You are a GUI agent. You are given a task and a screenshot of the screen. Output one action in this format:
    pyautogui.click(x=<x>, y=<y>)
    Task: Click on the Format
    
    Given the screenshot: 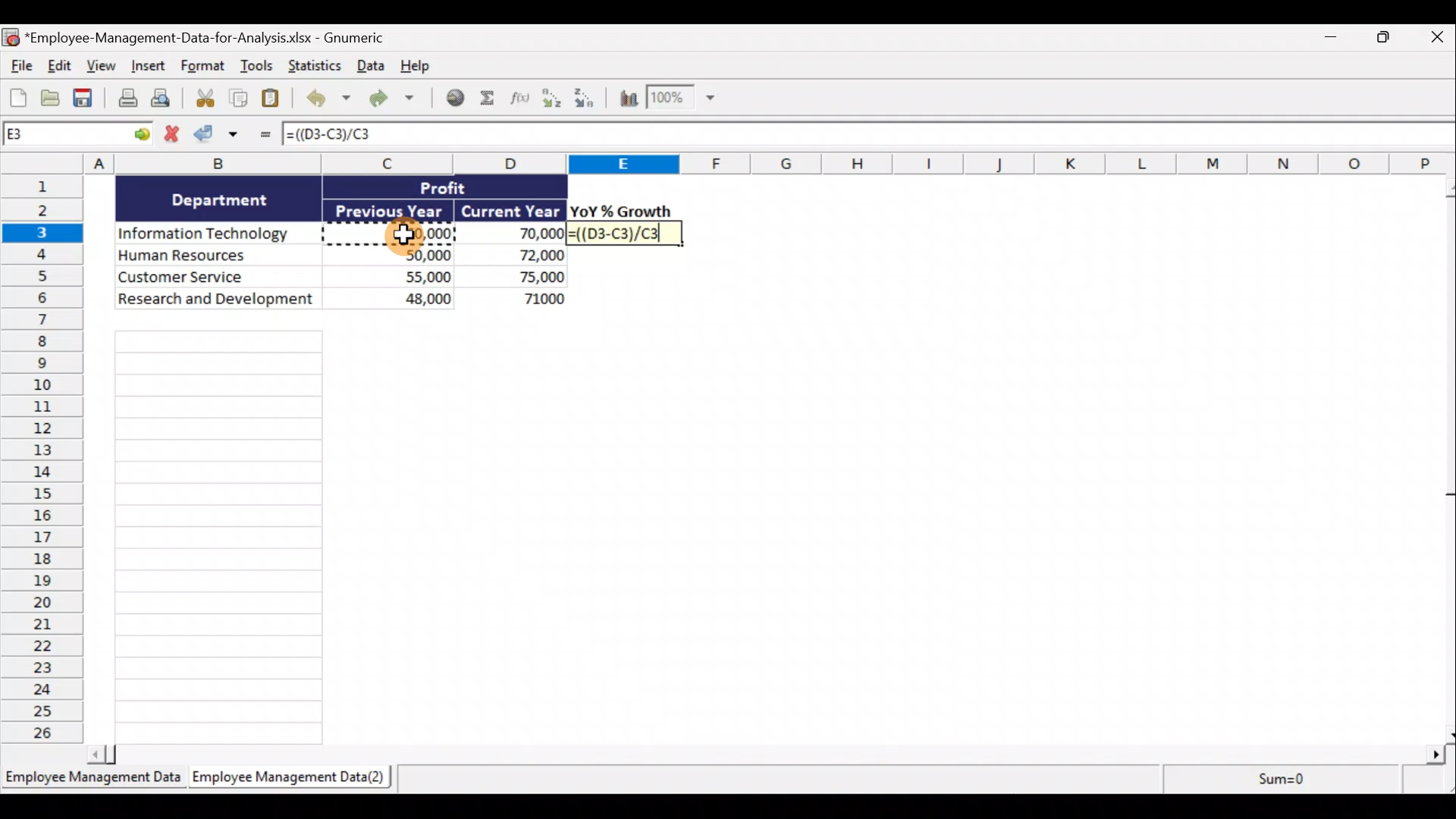 What is the action you would take?
    pyautogui.click(x=204, y=67)
    